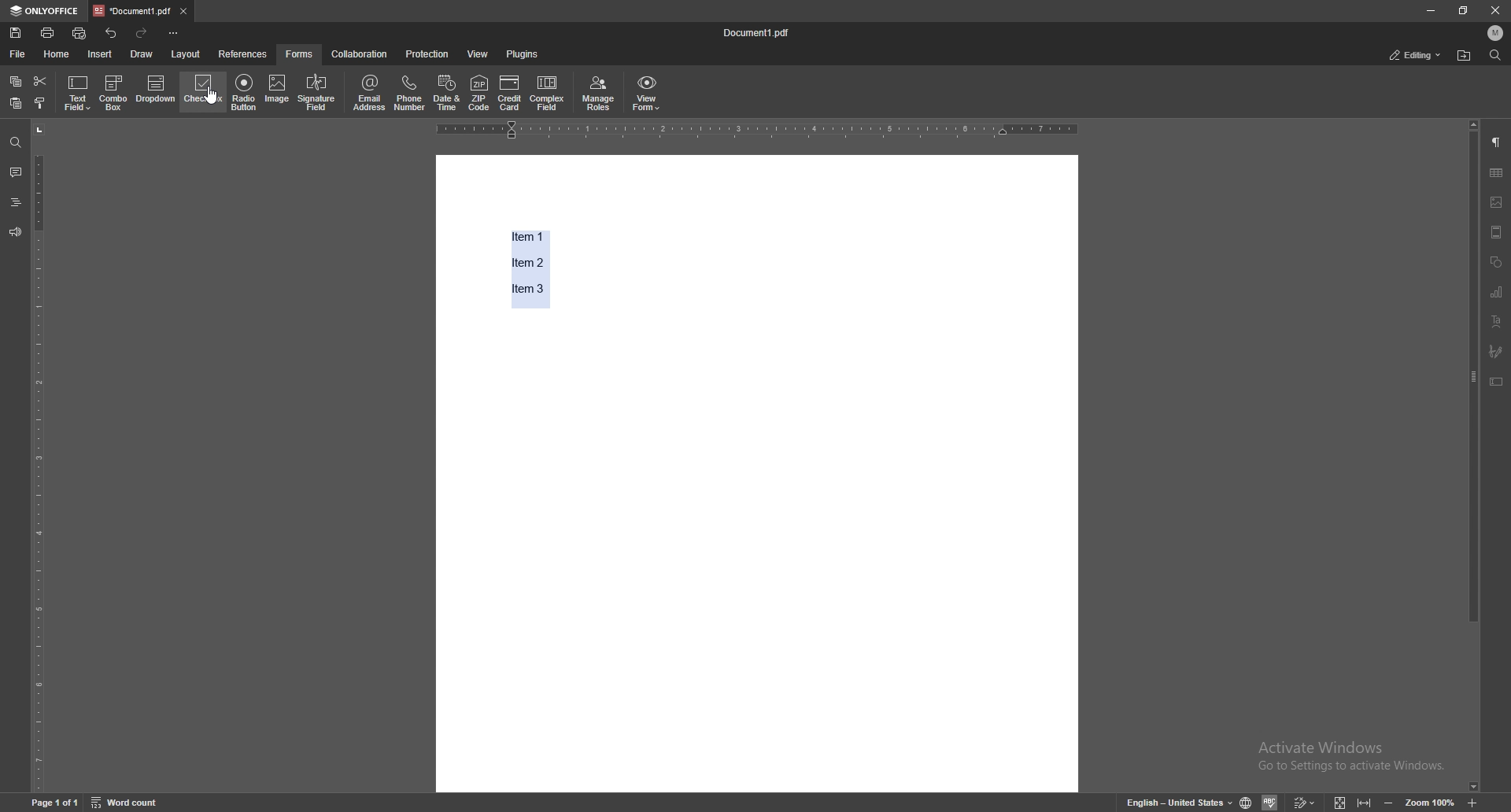  I want to click on paragraph, so click(1497, 142).